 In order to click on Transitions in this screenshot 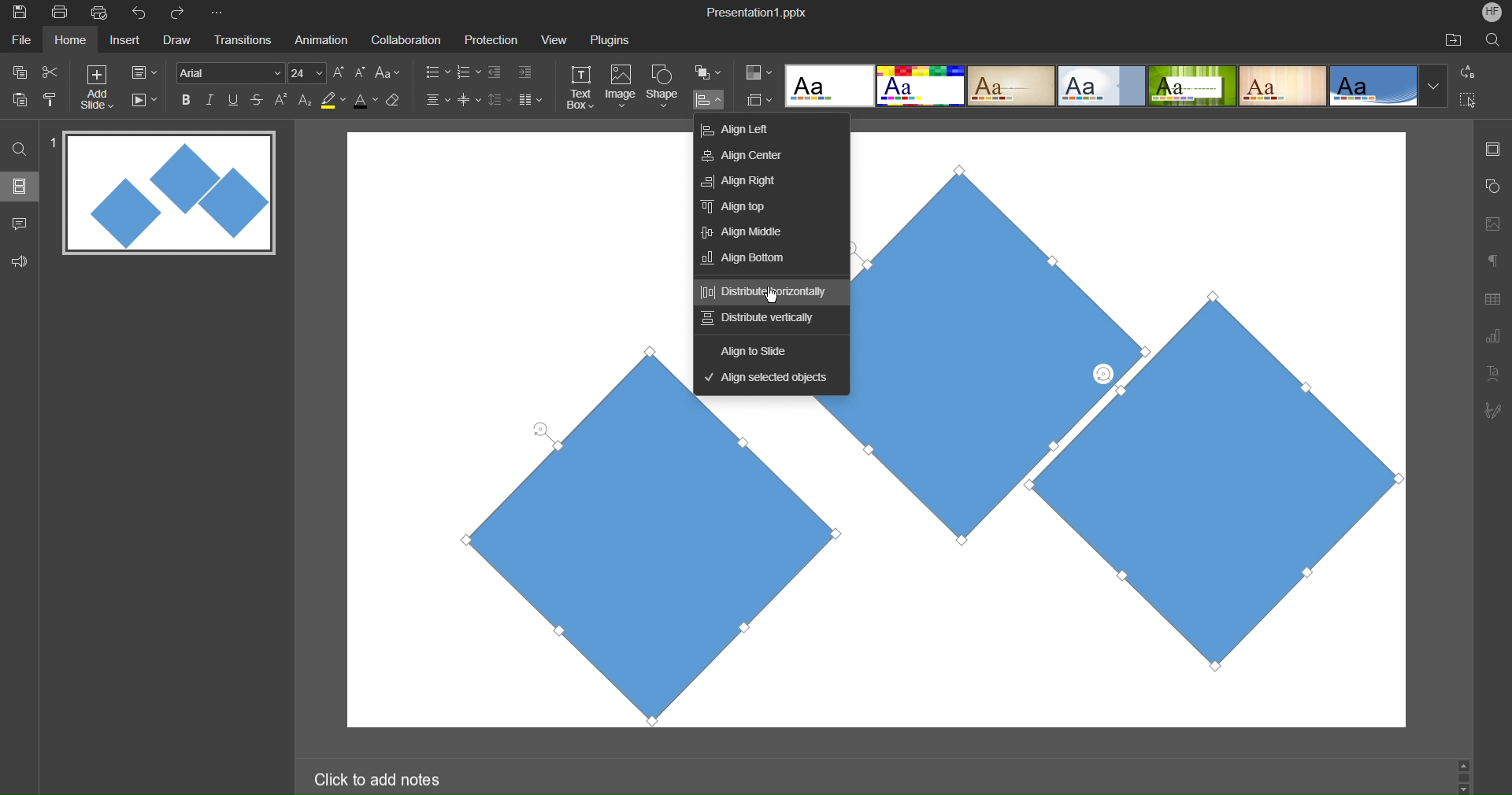, I will do `click(241, 41)`.